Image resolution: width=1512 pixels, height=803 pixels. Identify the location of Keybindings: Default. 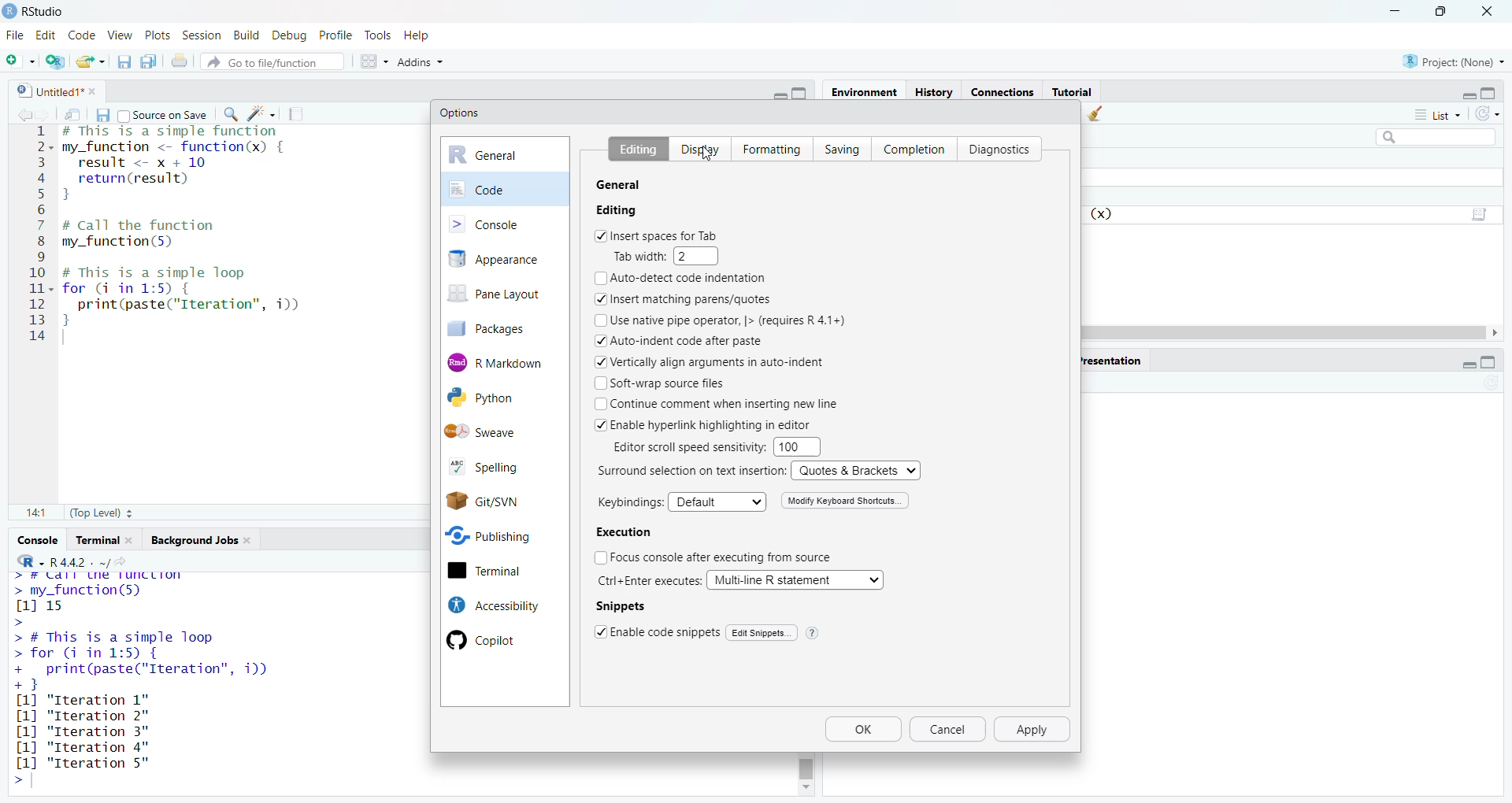
(676, 502).